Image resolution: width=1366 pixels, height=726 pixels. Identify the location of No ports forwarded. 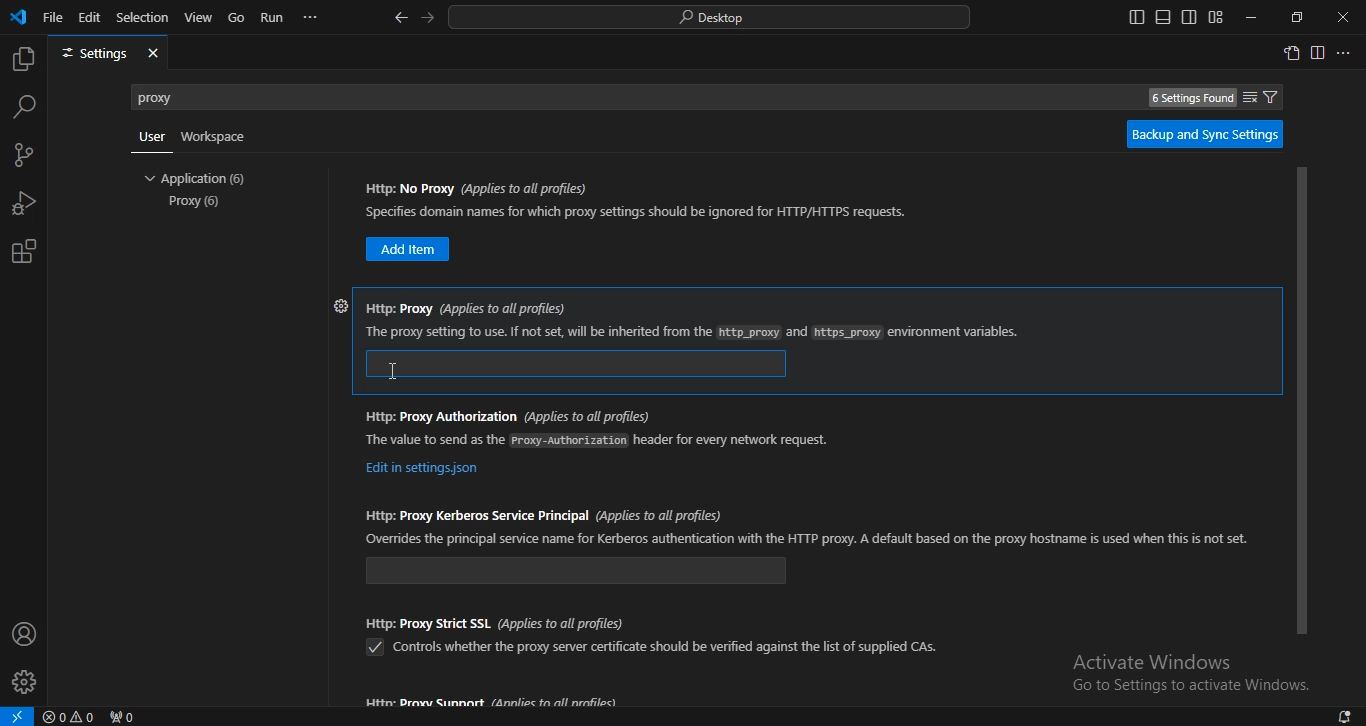
(125, 715).